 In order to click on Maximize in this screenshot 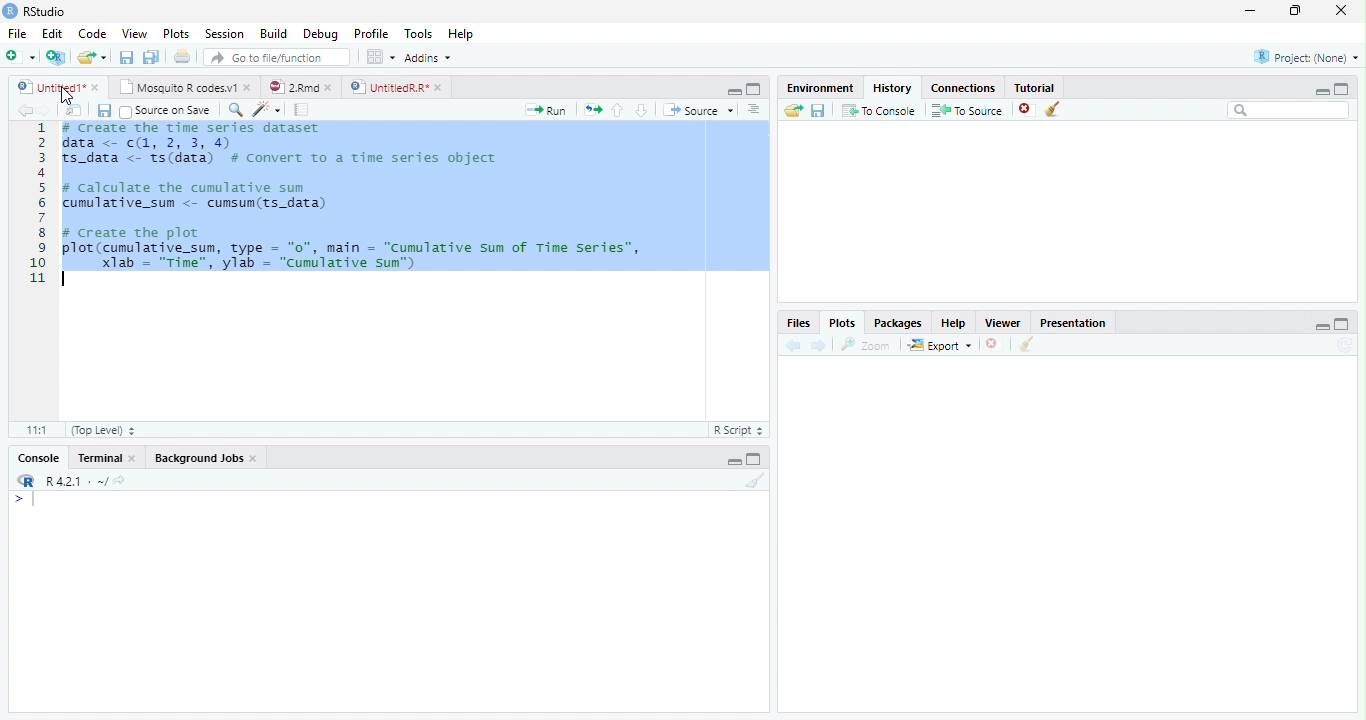, I will do `click(755, 91)`.